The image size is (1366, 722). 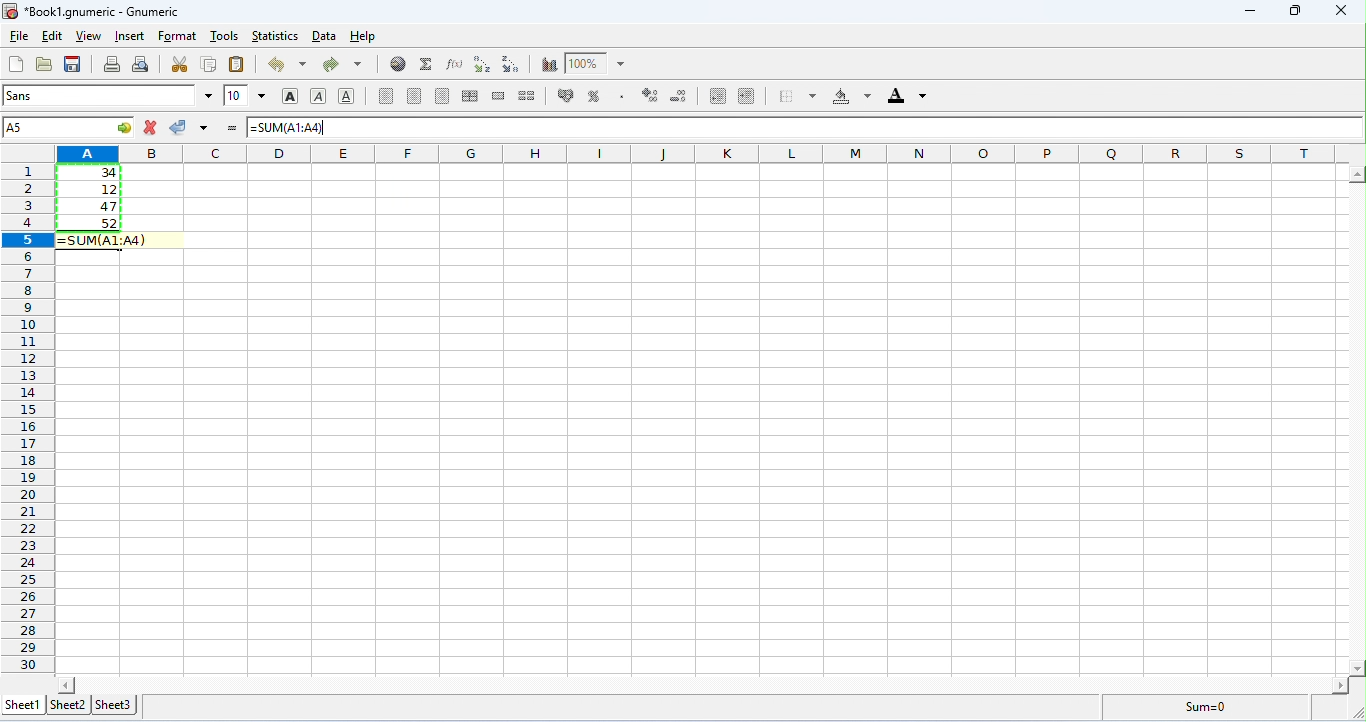 I want to click on redo, so click(x=342, y=65).